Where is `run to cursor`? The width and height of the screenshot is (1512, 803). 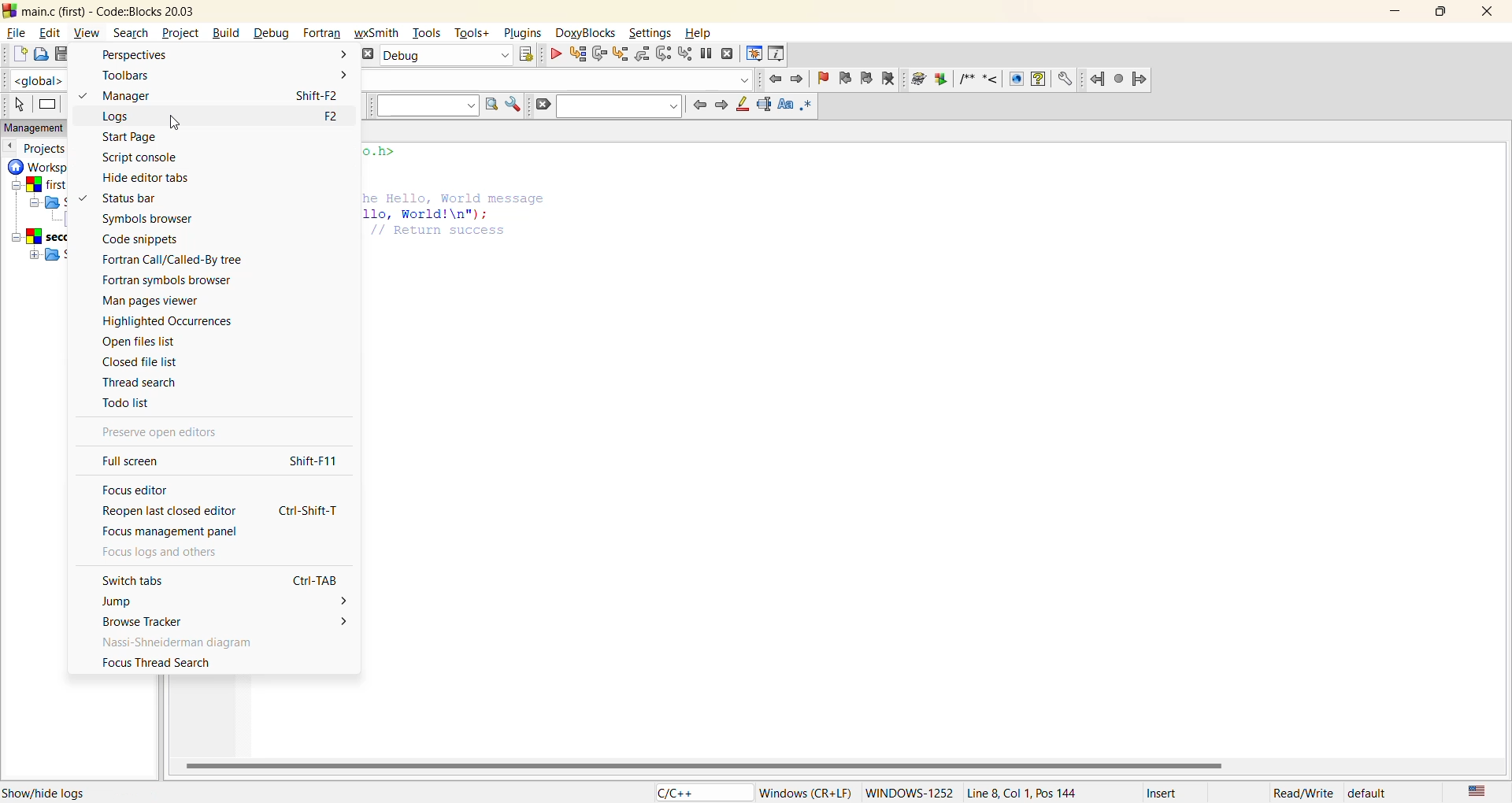
run to cursor is located at coordinates (575, 55).